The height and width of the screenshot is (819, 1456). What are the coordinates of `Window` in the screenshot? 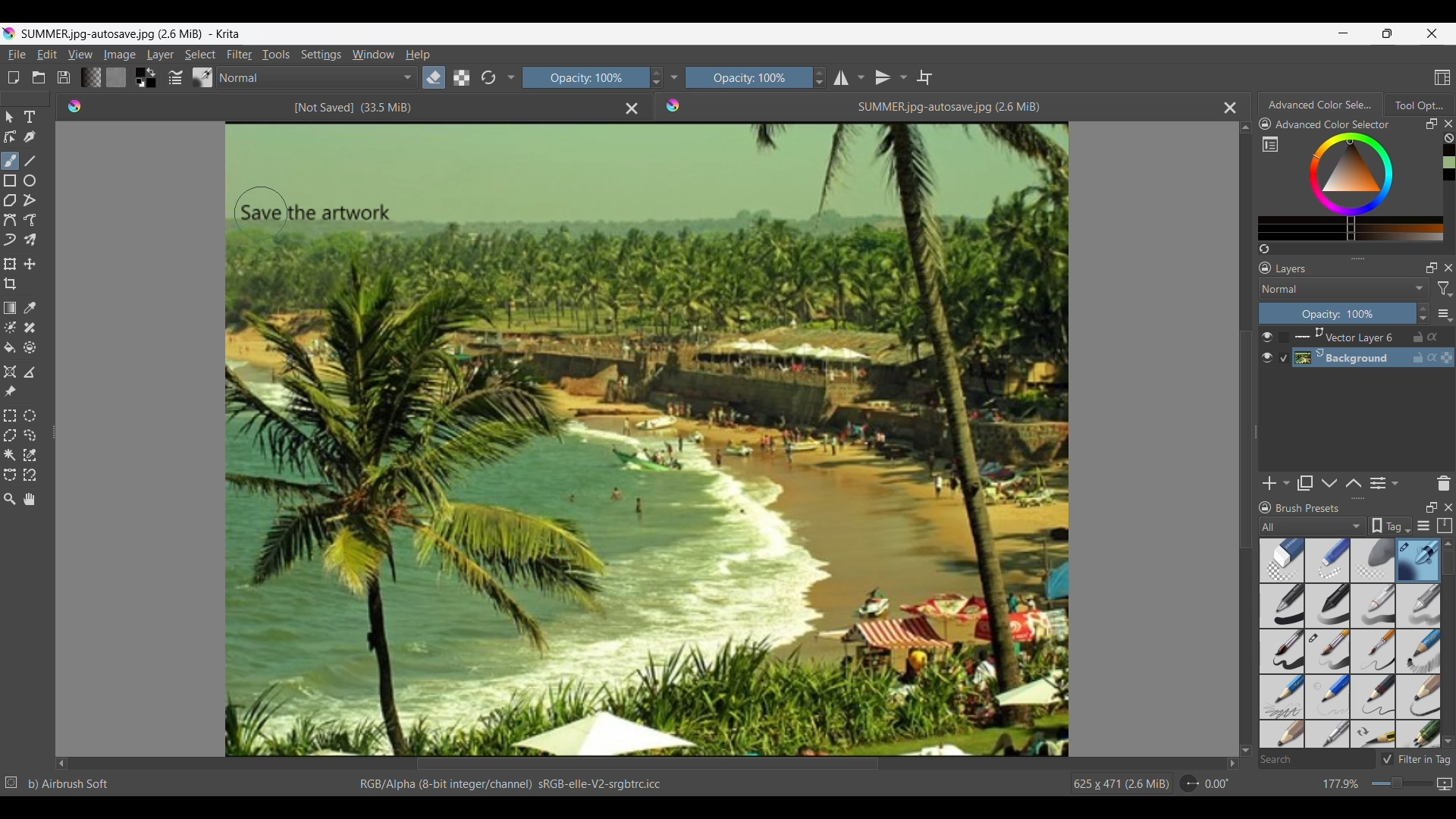 It's located at (373, 55).